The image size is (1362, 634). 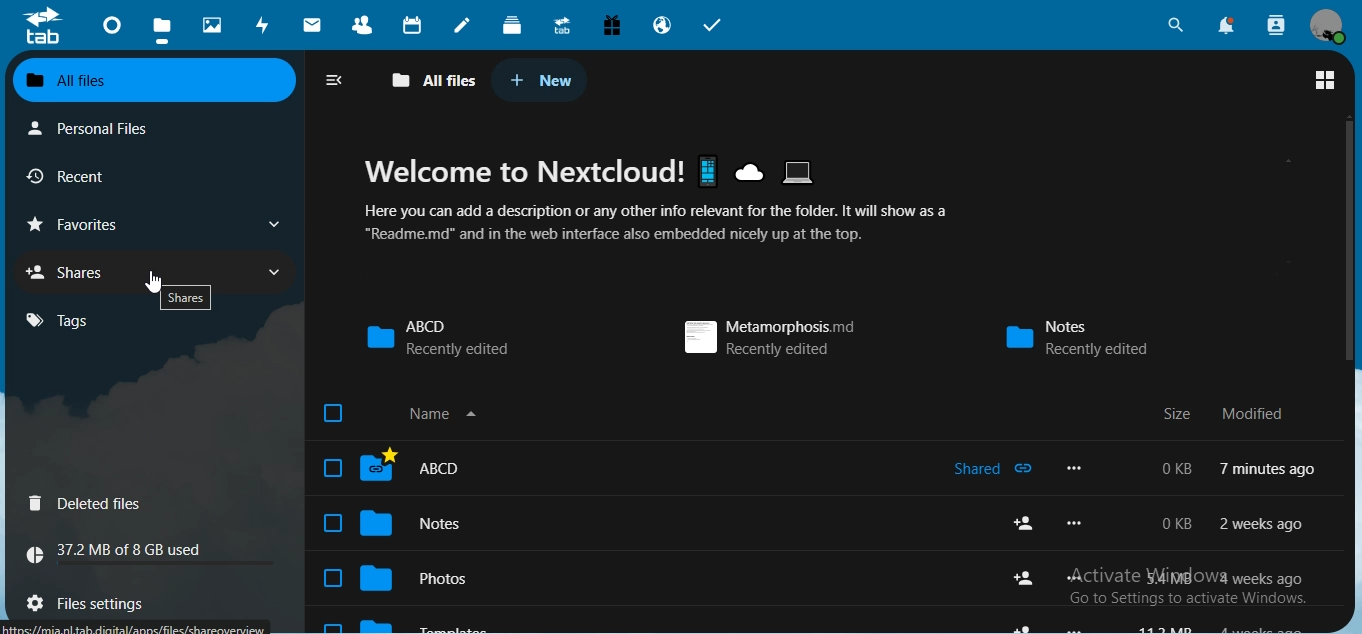 What do you see at coordinates (335, 80) in the screenshot?
I see `close navigation` at bounding box center [335, 80].